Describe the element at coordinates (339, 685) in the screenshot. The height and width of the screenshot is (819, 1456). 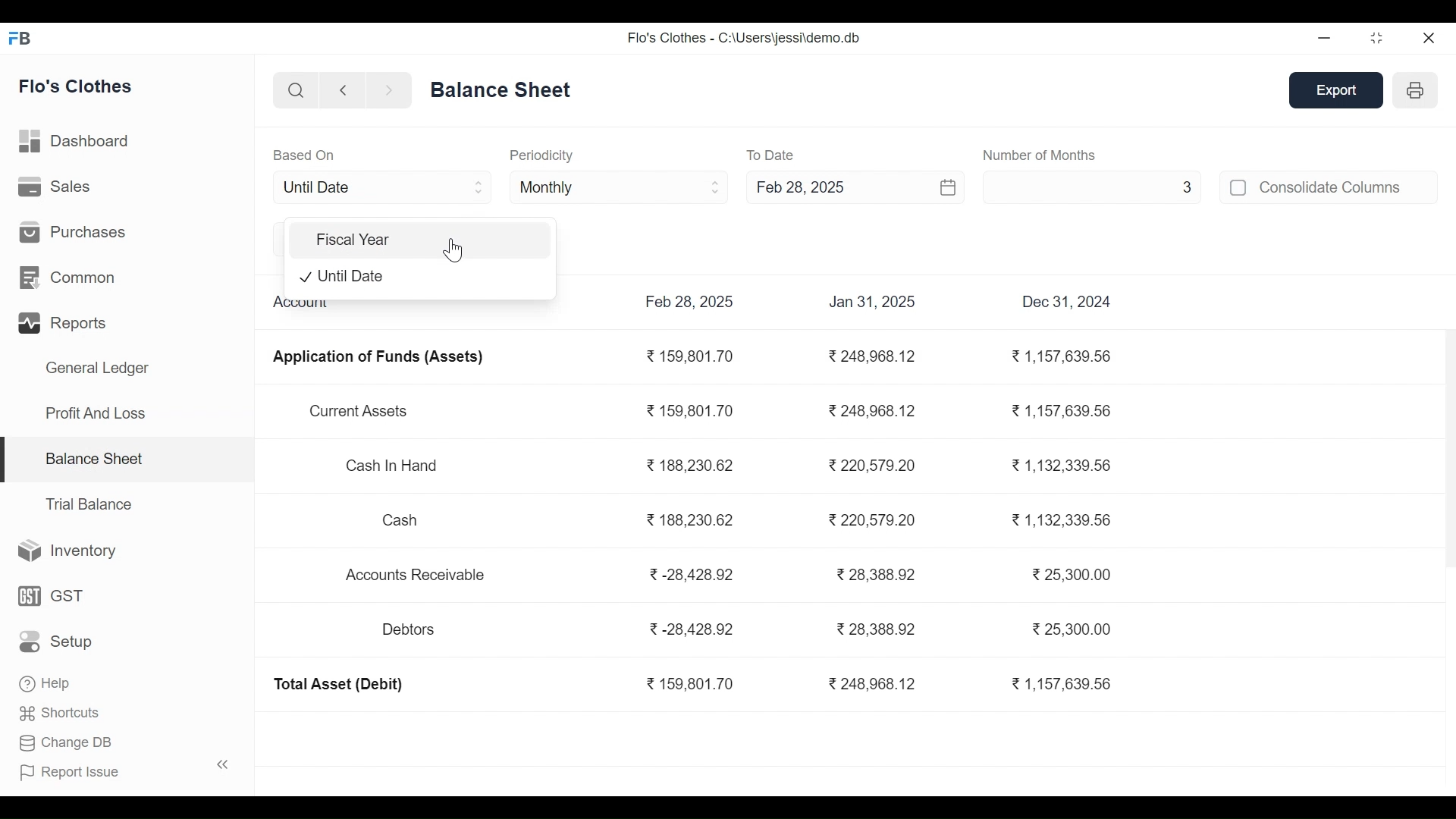
I see `Total Asset (Debit)` at that location.